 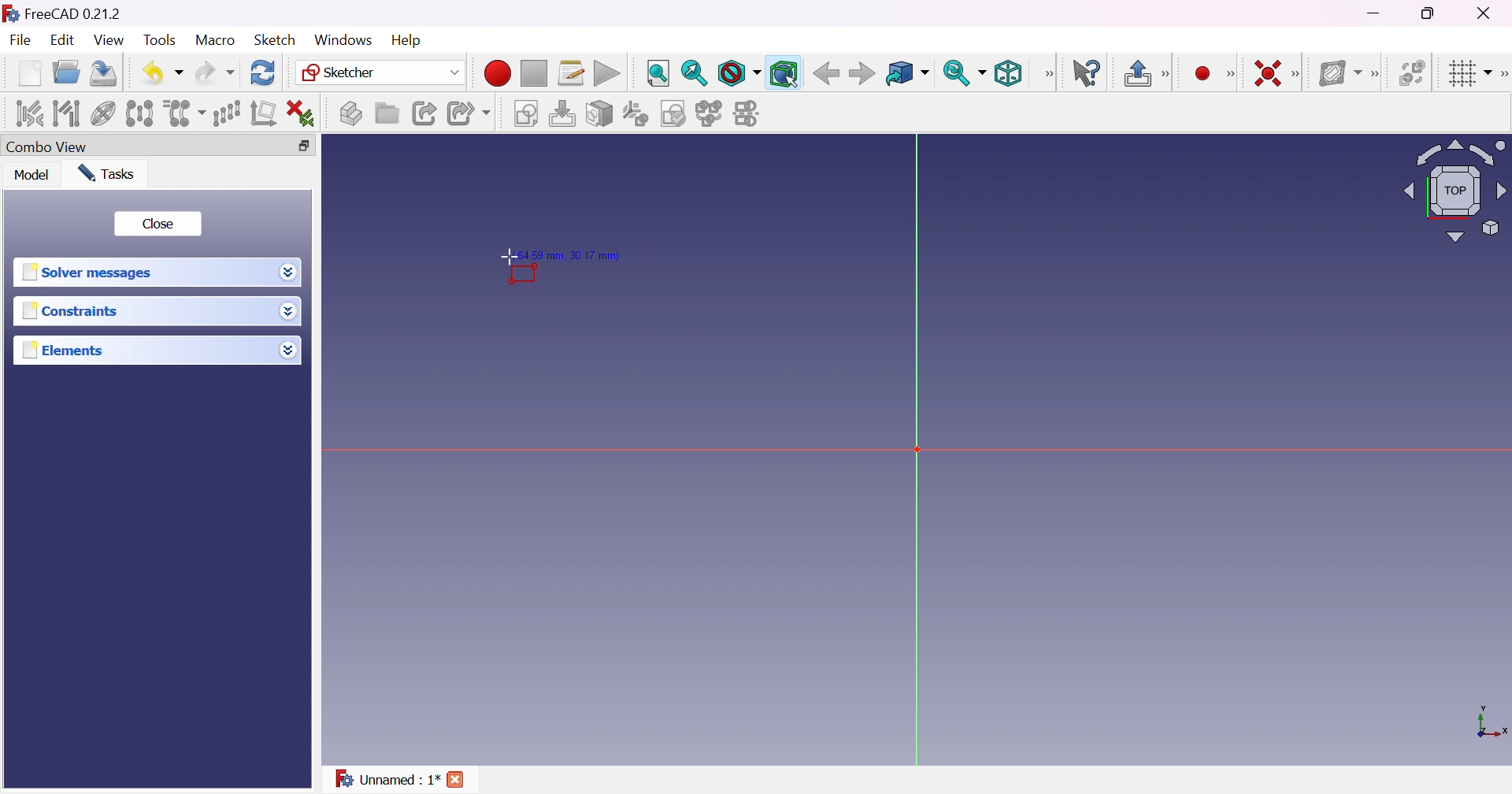 What do you see at coordinates (561, 113) in the screenshot?
I see `Edit sketch` at bounding box center [561, 113].